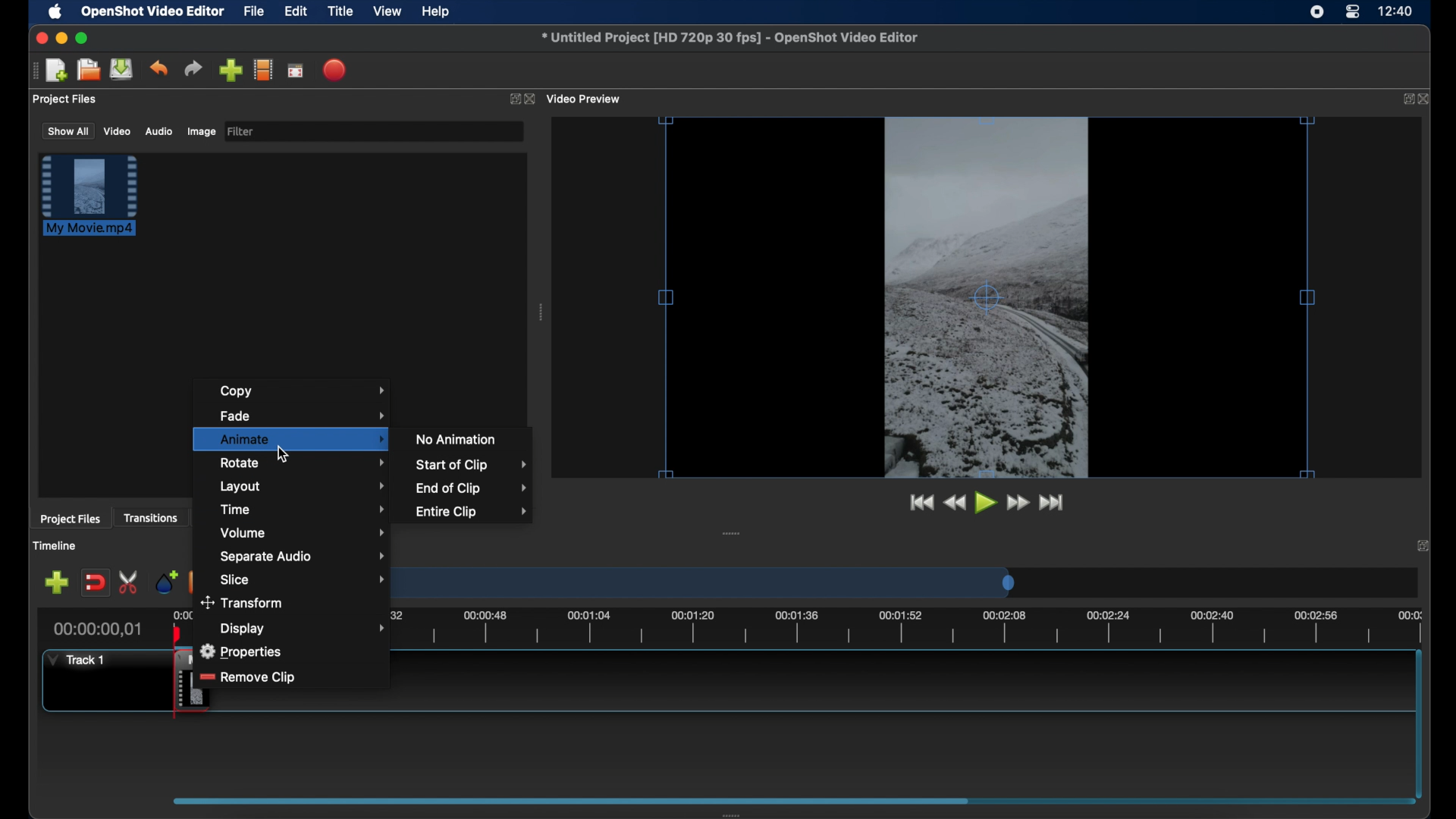 The height and width of the screenshot is (819, 1456). What do you see at coordinates (158, 67) in the screenshot?
I see `undo` at bounding box center [158, 67].